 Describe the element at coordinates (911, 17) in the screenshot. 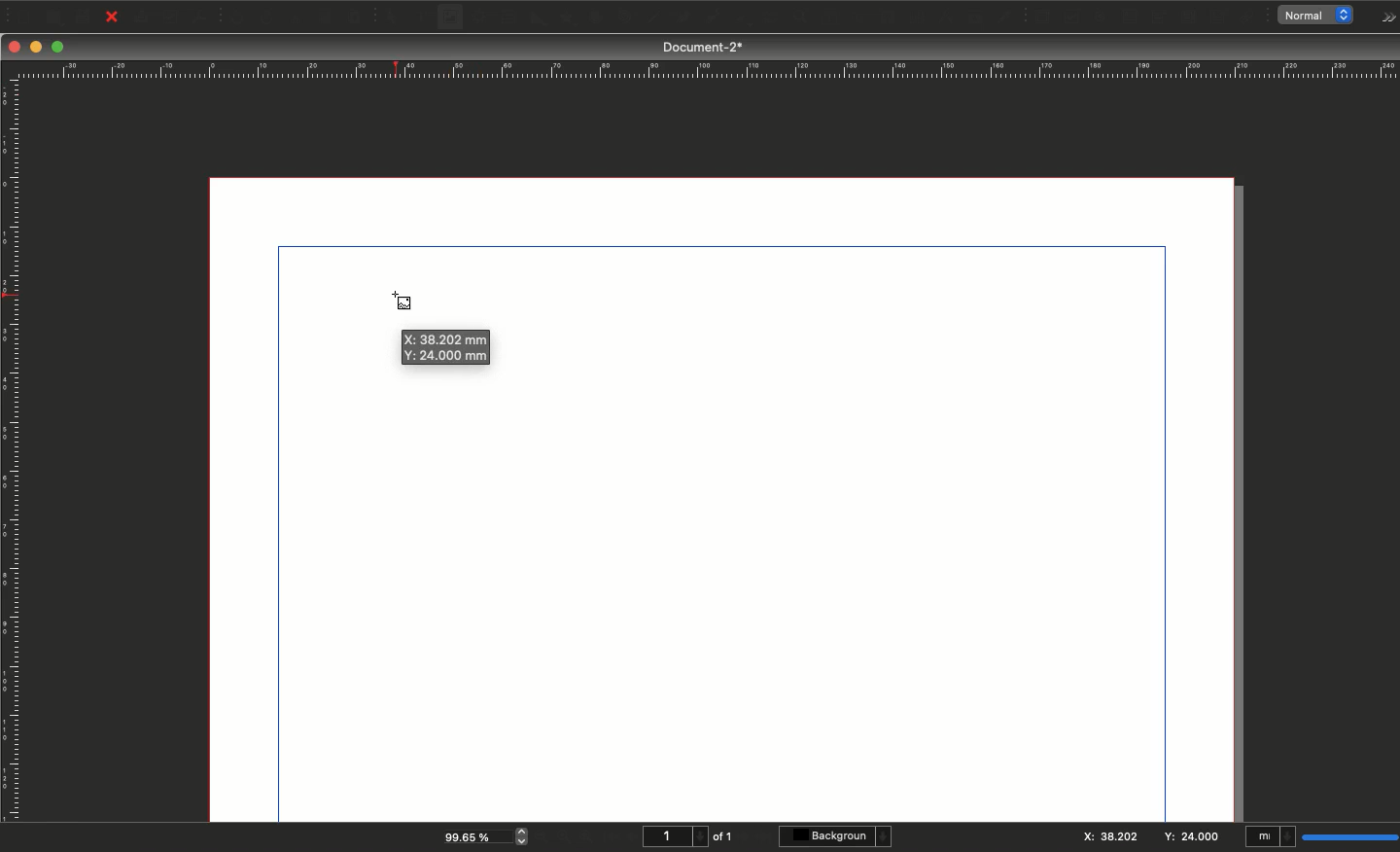

I see `Unlink text frames` at that location.